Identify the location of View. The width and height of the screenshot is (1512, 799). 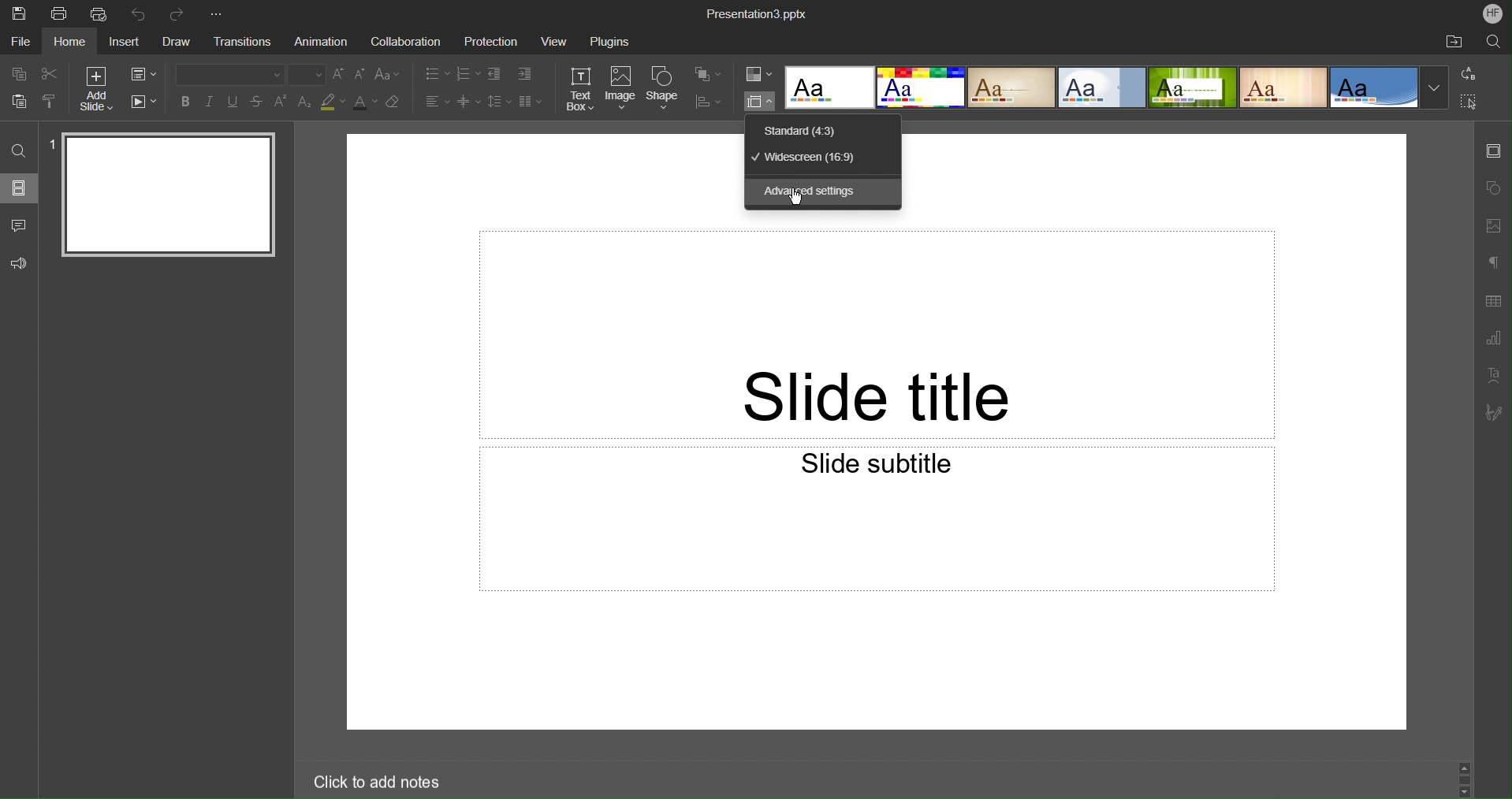
(552, 43).